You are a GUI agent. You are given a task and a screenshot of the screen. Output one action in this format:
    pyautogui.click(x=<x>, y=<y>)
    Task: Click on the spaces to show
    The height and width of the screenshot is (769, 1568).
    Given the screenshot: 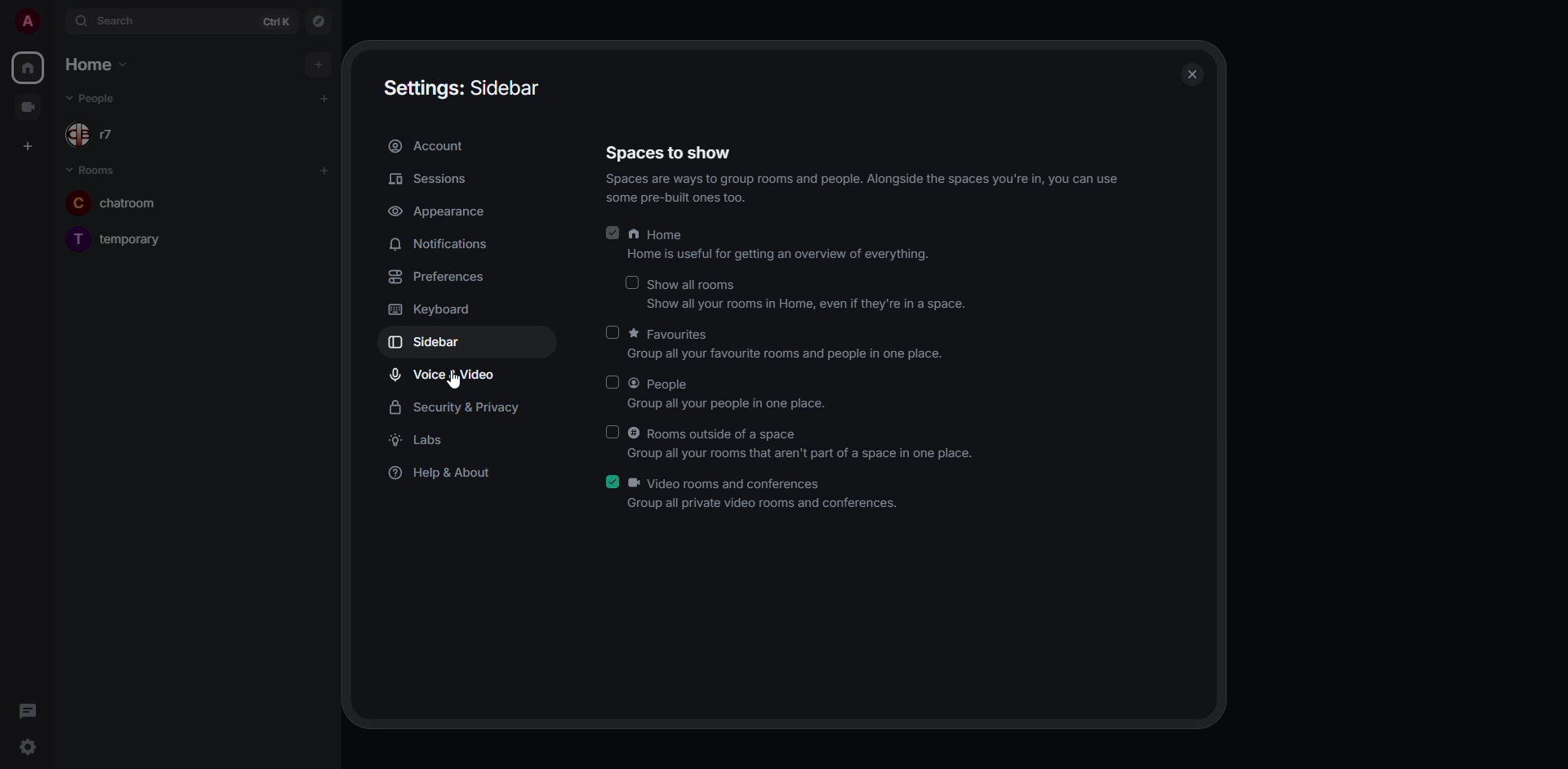 What is the action you would take?
    pyautogui.click(x=856, y=149)
    